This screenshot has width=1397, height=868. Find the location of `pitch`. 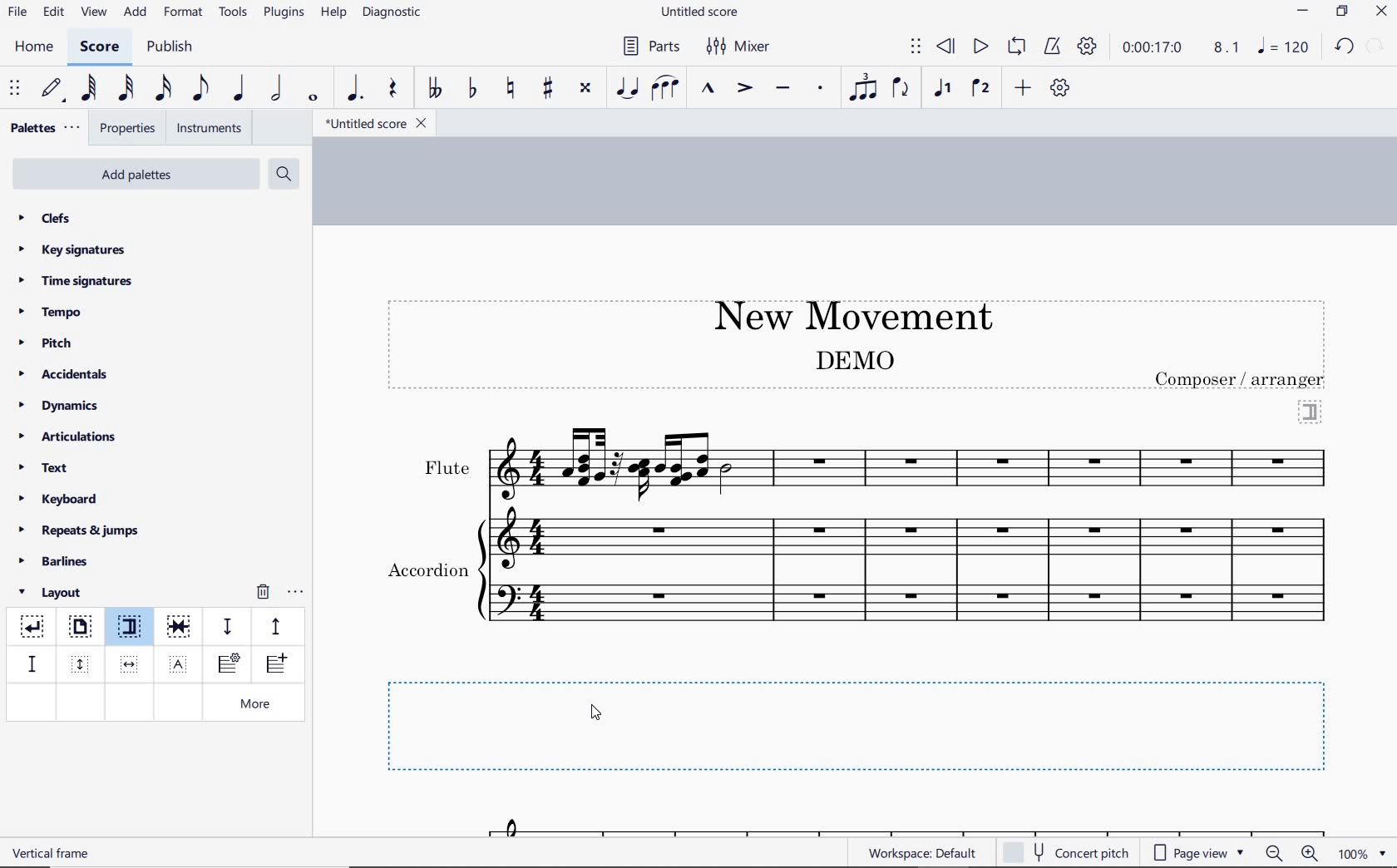

pitch is located at coordinates (52, 343).